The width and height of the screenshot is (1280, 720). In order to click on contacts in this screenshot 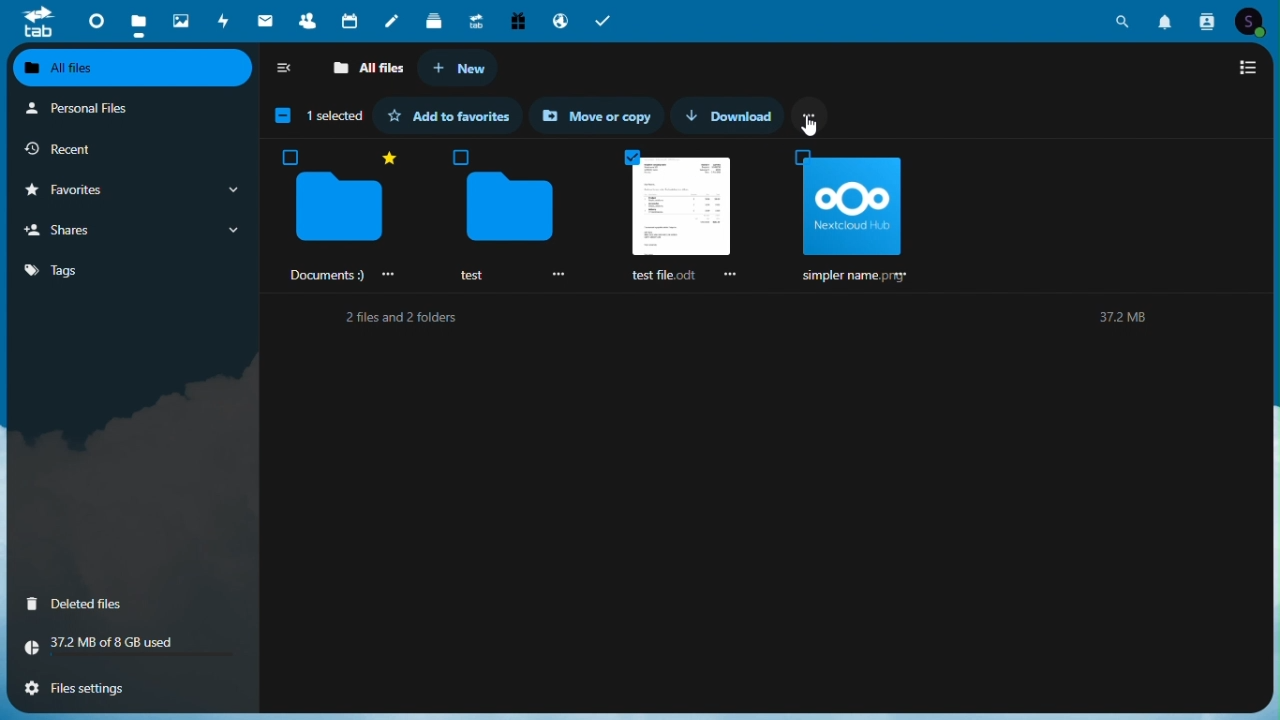, I will do `click(1207, 20)`.